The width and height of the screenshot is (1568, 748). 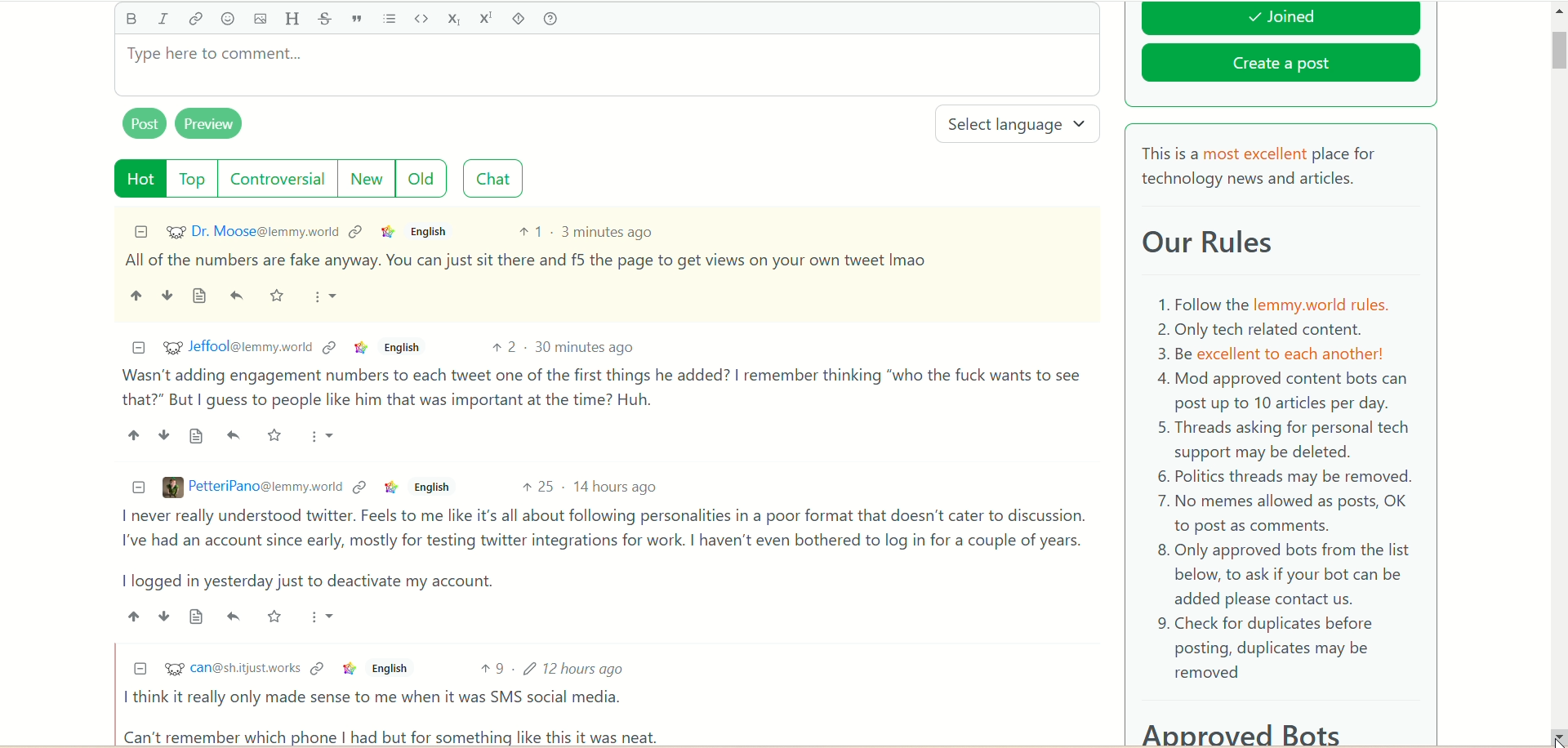 What do you see at coordinates (164, 617) in the screenshot?
I see `Downvote` at bounding box center [164, 617].